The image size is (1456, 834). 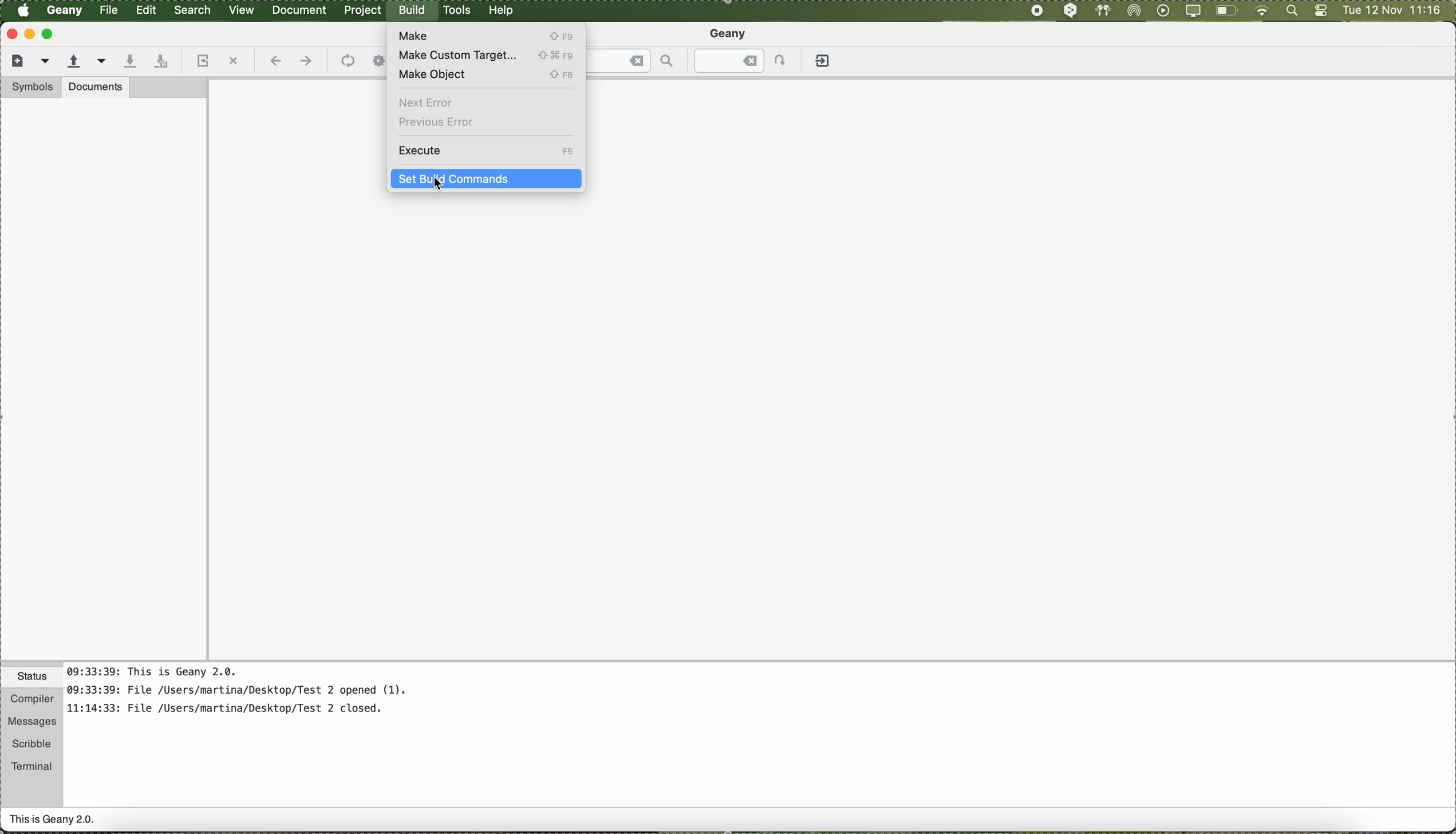 I want to click on terminal, so click(x=32, y=764).